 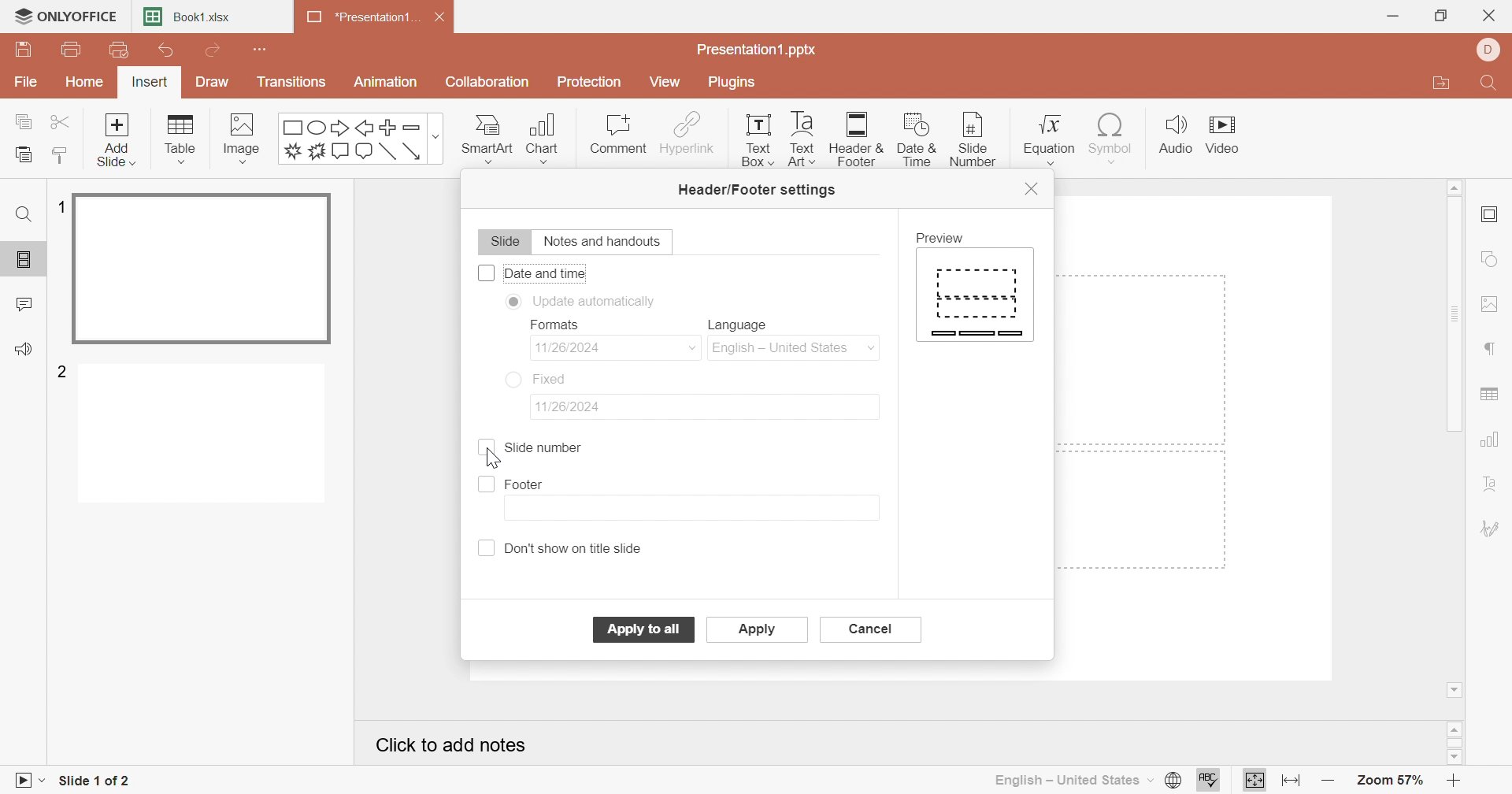 I want to click on Smart, so click(x=486, y=135).